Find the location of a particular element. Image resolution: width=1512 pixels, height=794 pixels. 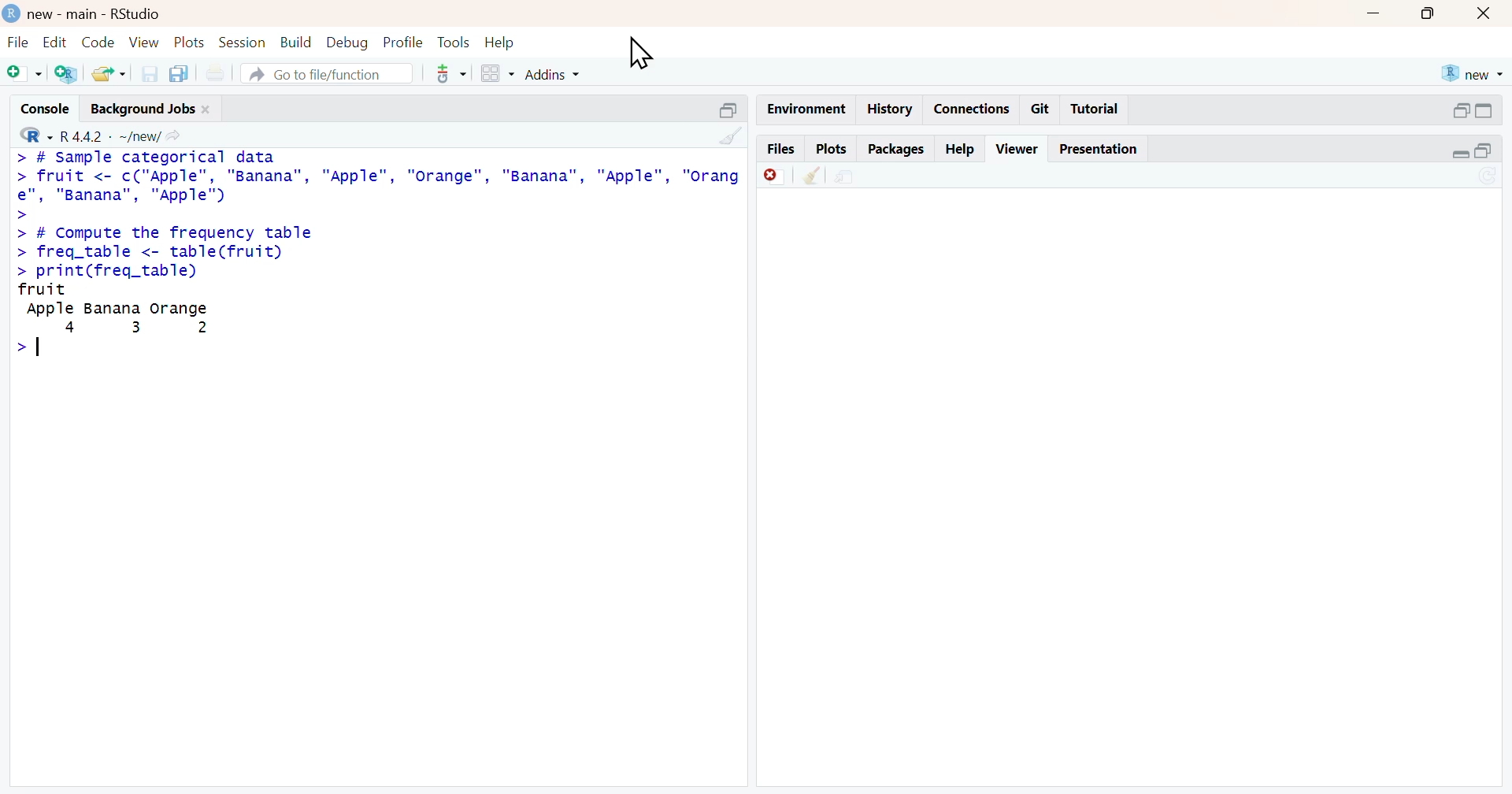

code tools is located at coordinates (450, 74).